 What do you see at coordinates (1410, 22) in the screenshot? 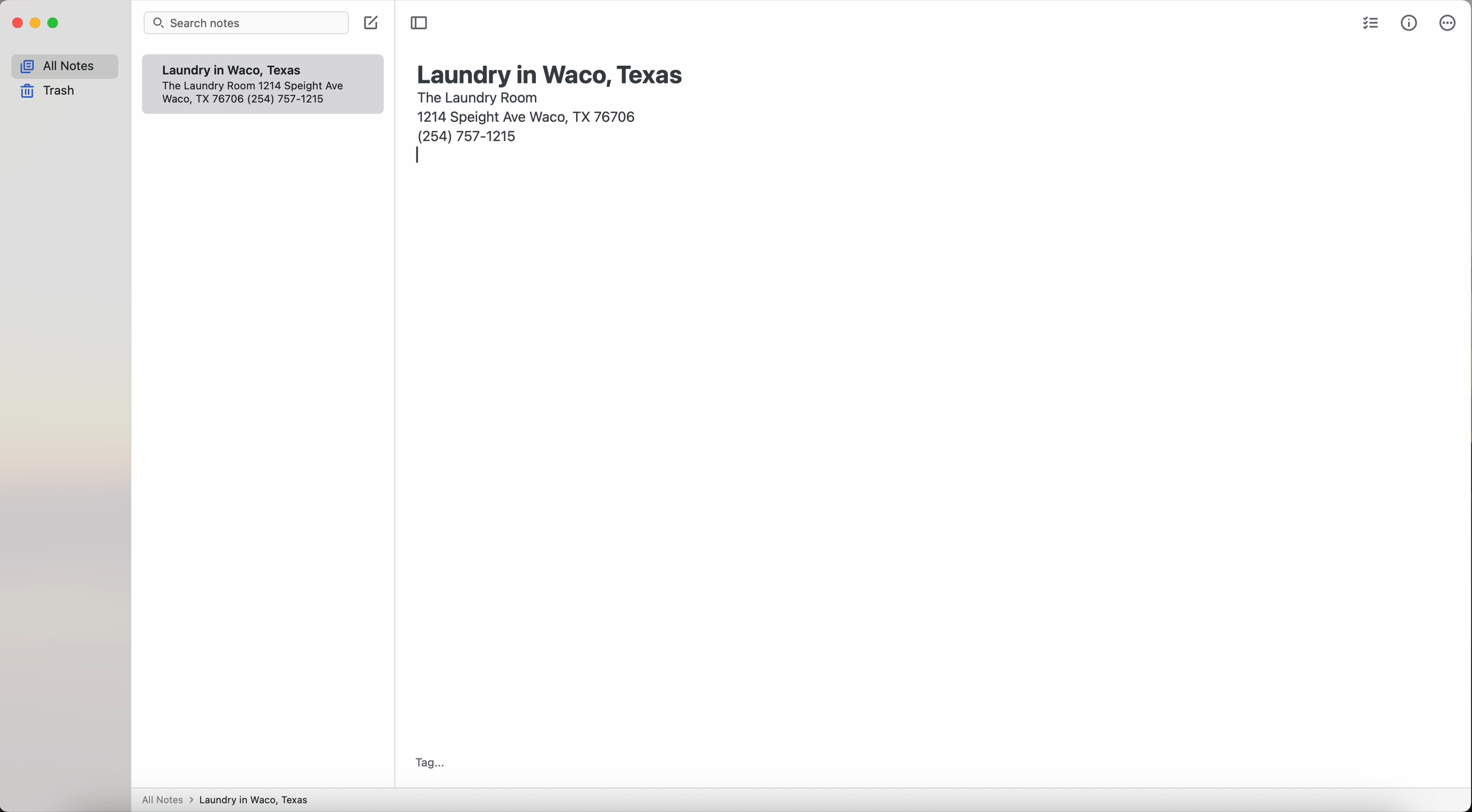
I see `metrics` at bounding box center [1410, 22].